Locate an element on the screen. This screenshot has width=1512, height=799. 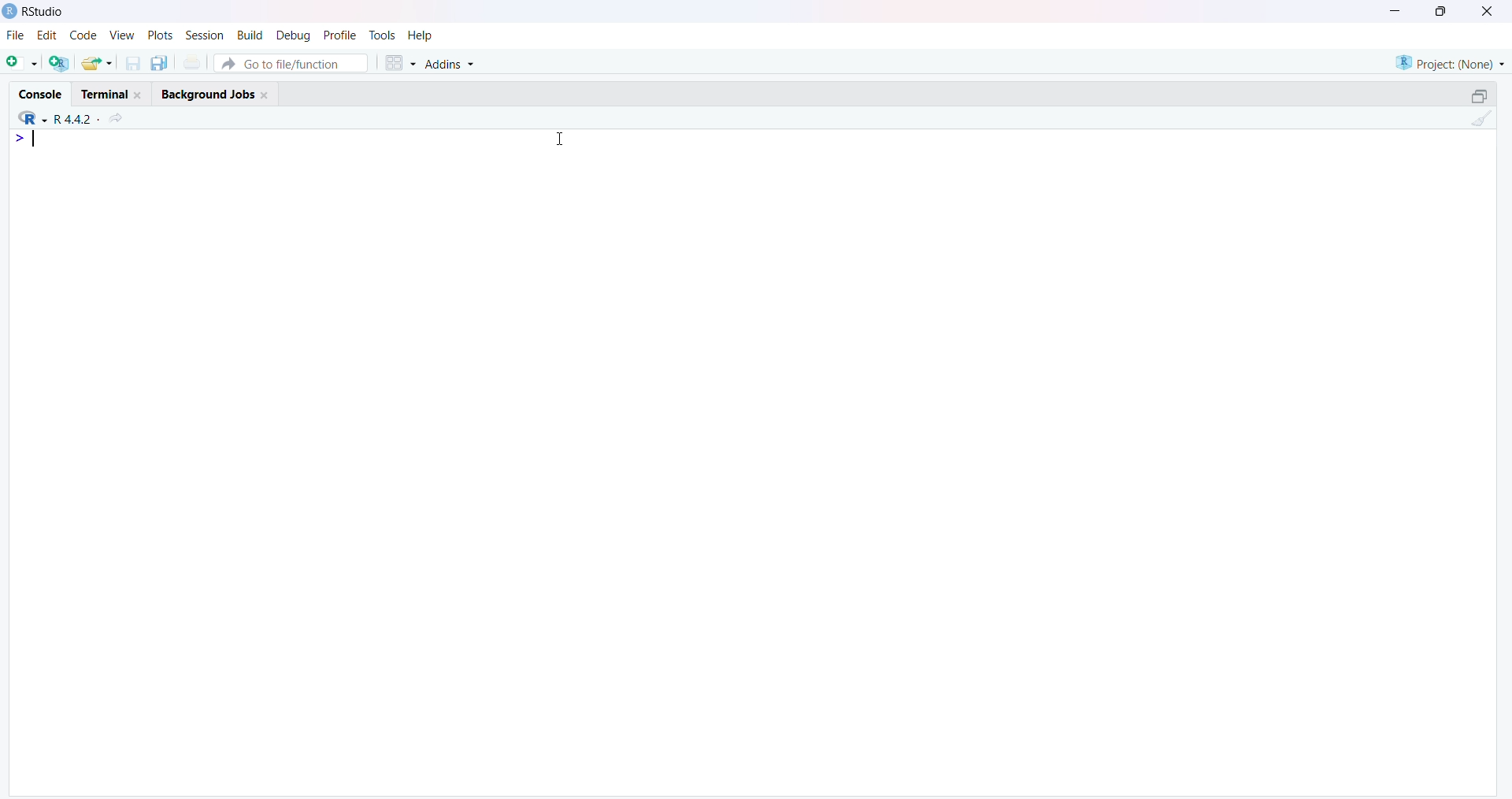
Help is located at coordinates (421, 35).